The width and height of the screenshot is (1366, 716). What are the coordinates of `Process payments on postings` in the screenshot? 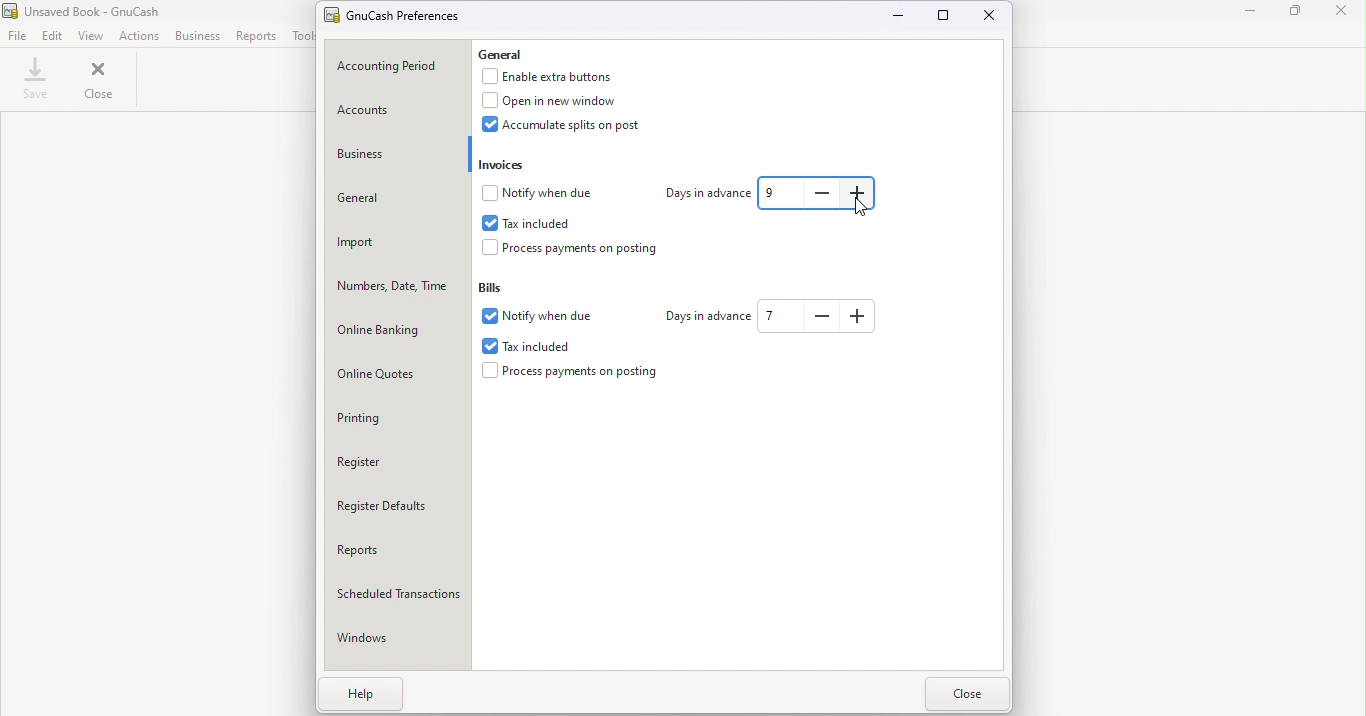 It's located at (583, 251).